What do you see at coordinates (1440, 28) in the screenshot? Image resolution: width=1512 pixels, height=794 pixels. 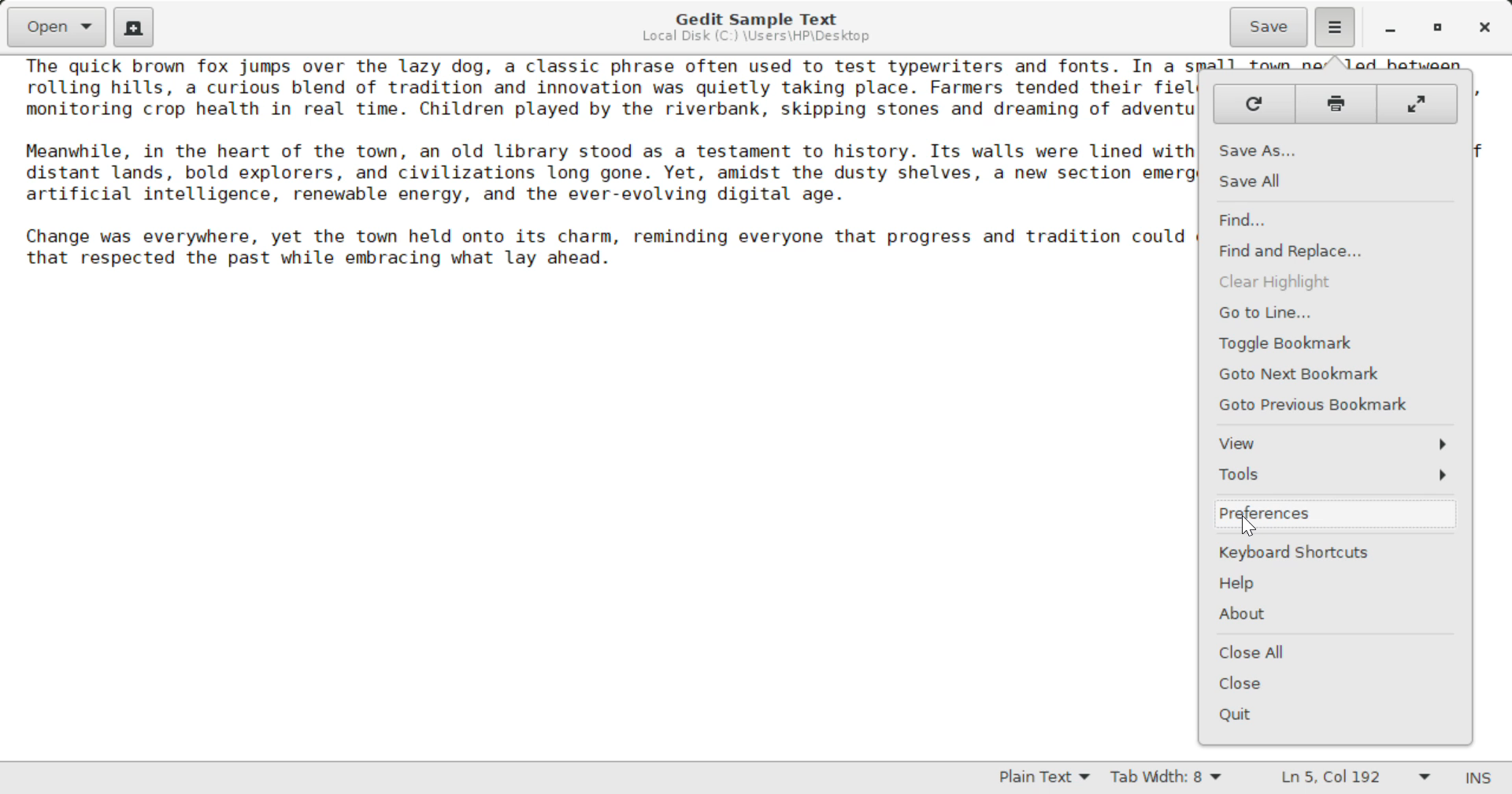 I see `Minimize` at bounding box center [1440, 28].